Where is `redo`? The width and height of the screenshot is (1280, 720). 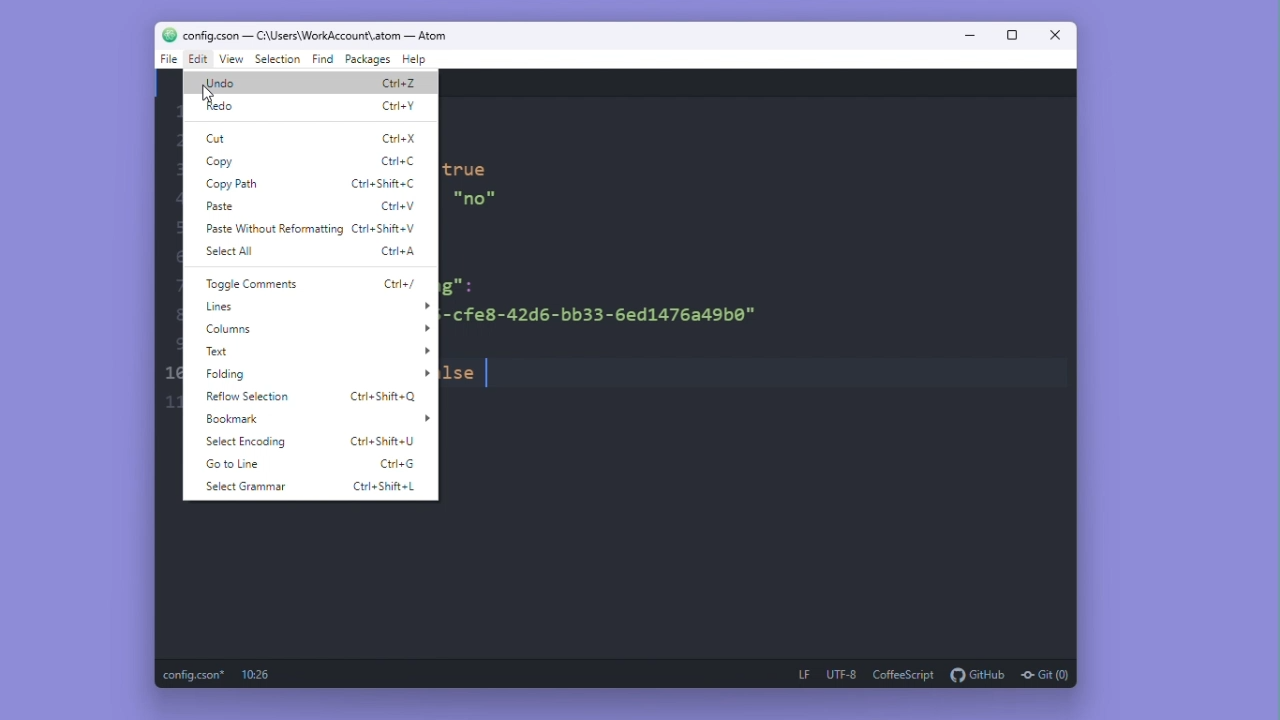
redo is located at coordinates (222, 107).